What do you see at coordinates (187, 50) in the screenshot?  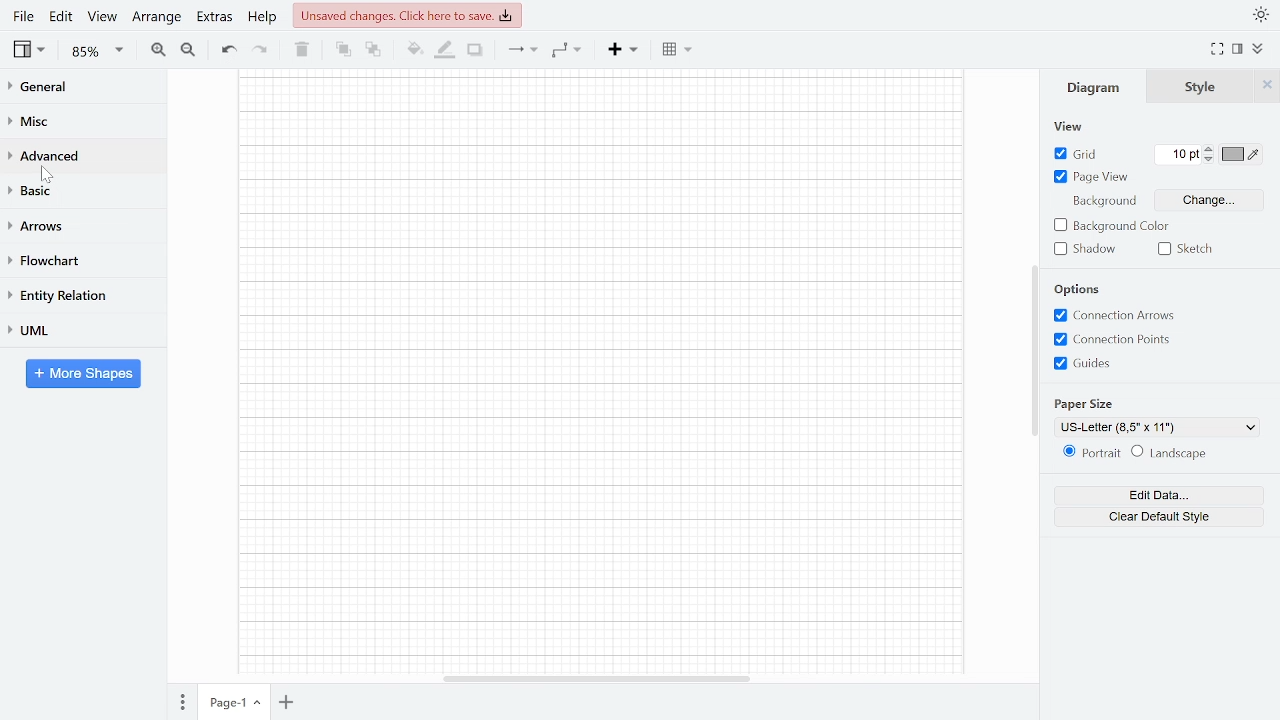 I see `Zoom out` at bounding box center [187, 50].